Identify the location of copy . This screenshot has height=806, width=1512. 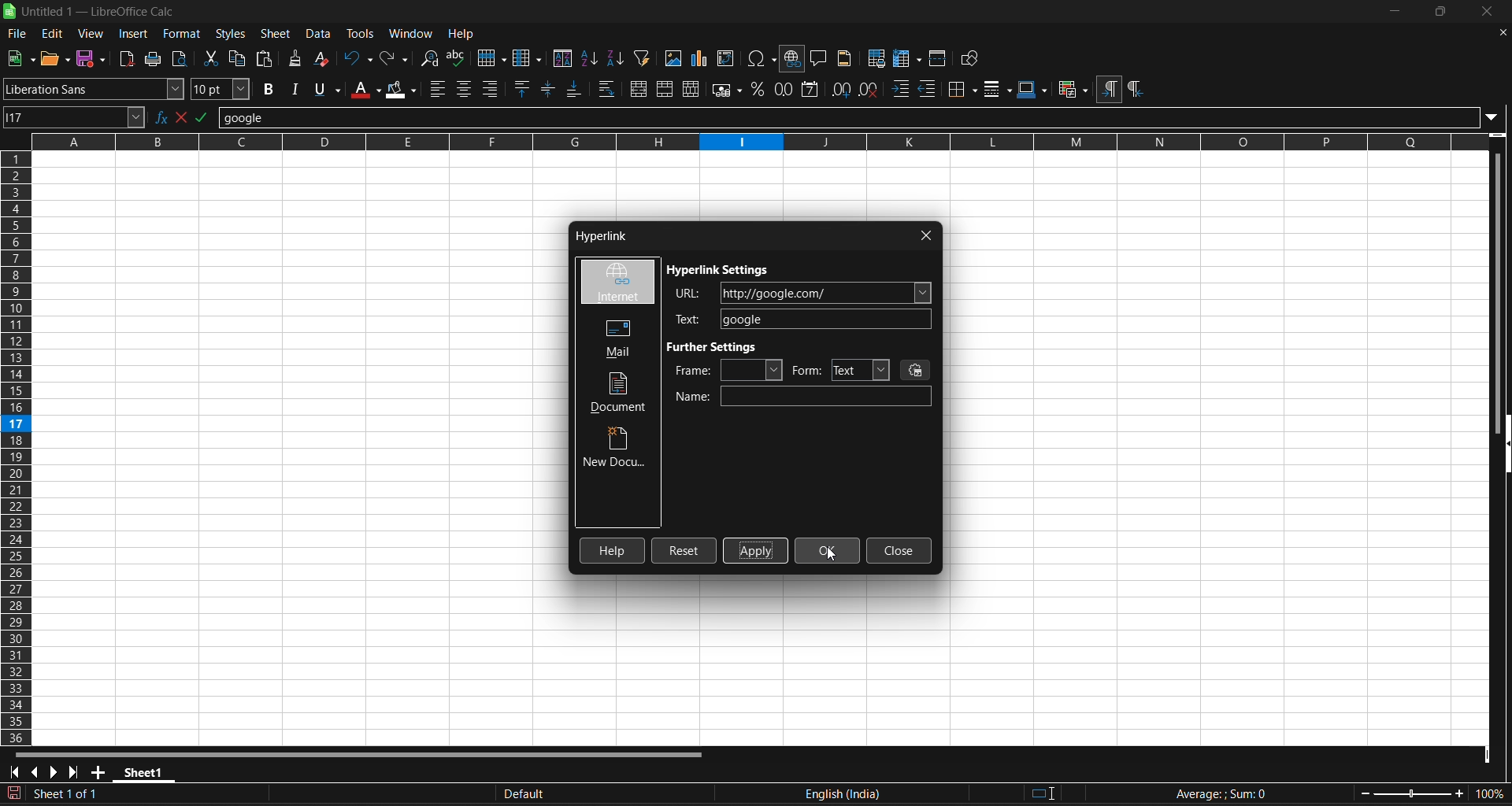
(239, 57).